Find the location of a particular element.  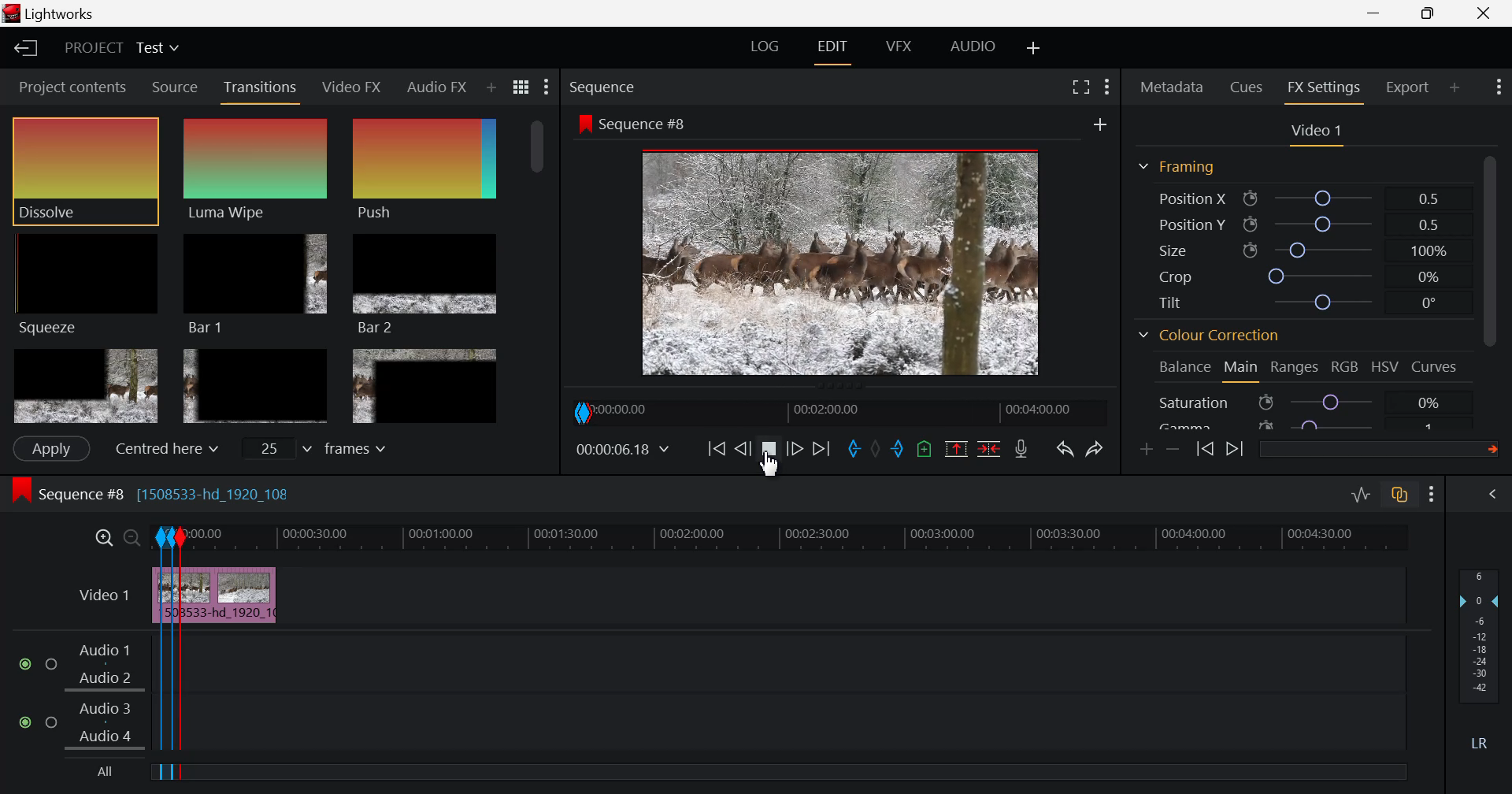

Add Layout is located at coordinates (1035, 47).